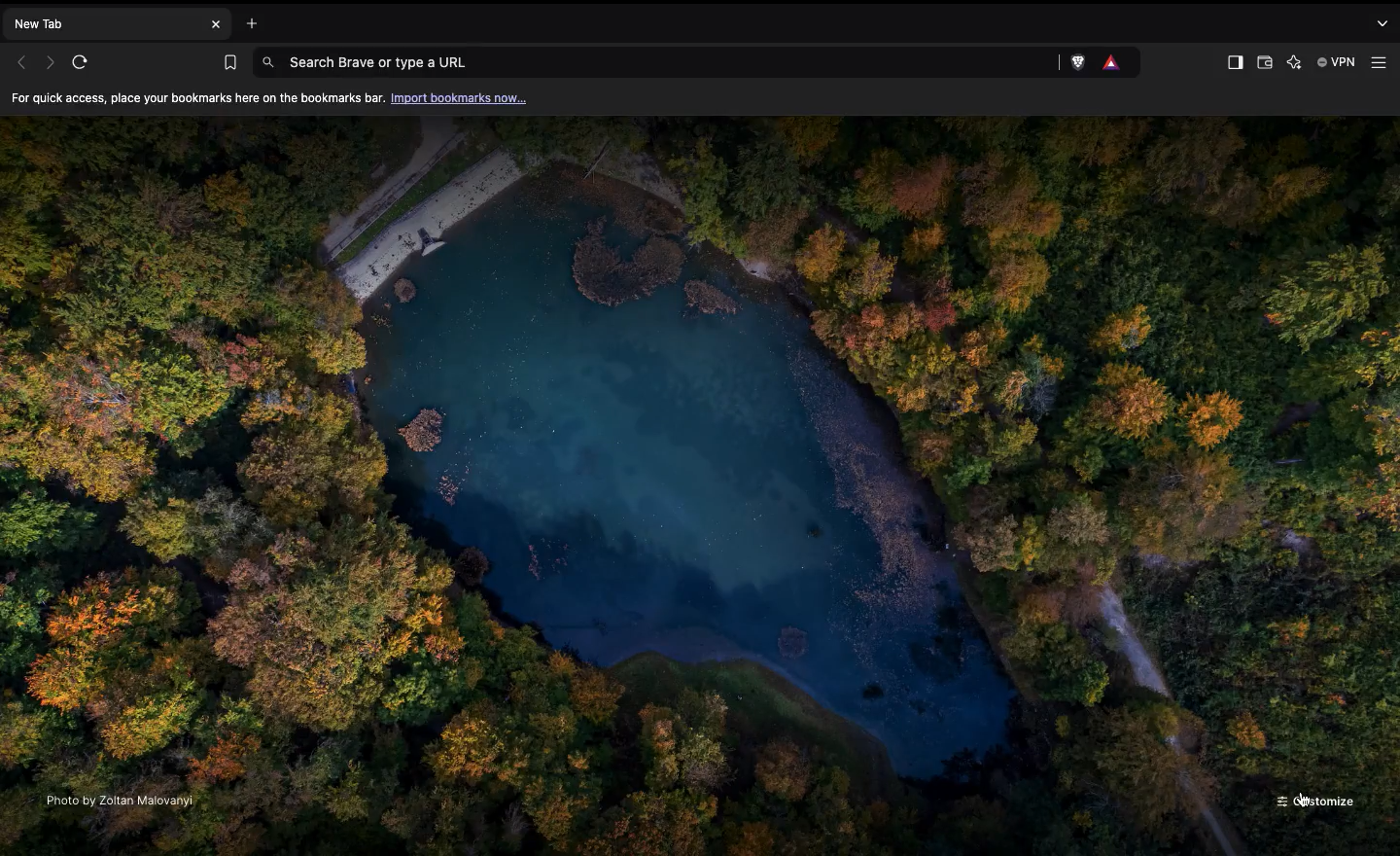 Image resolution: width=1400 pixels, height=856 pixels. I want to click on Bookmarks, so click(226, 63).